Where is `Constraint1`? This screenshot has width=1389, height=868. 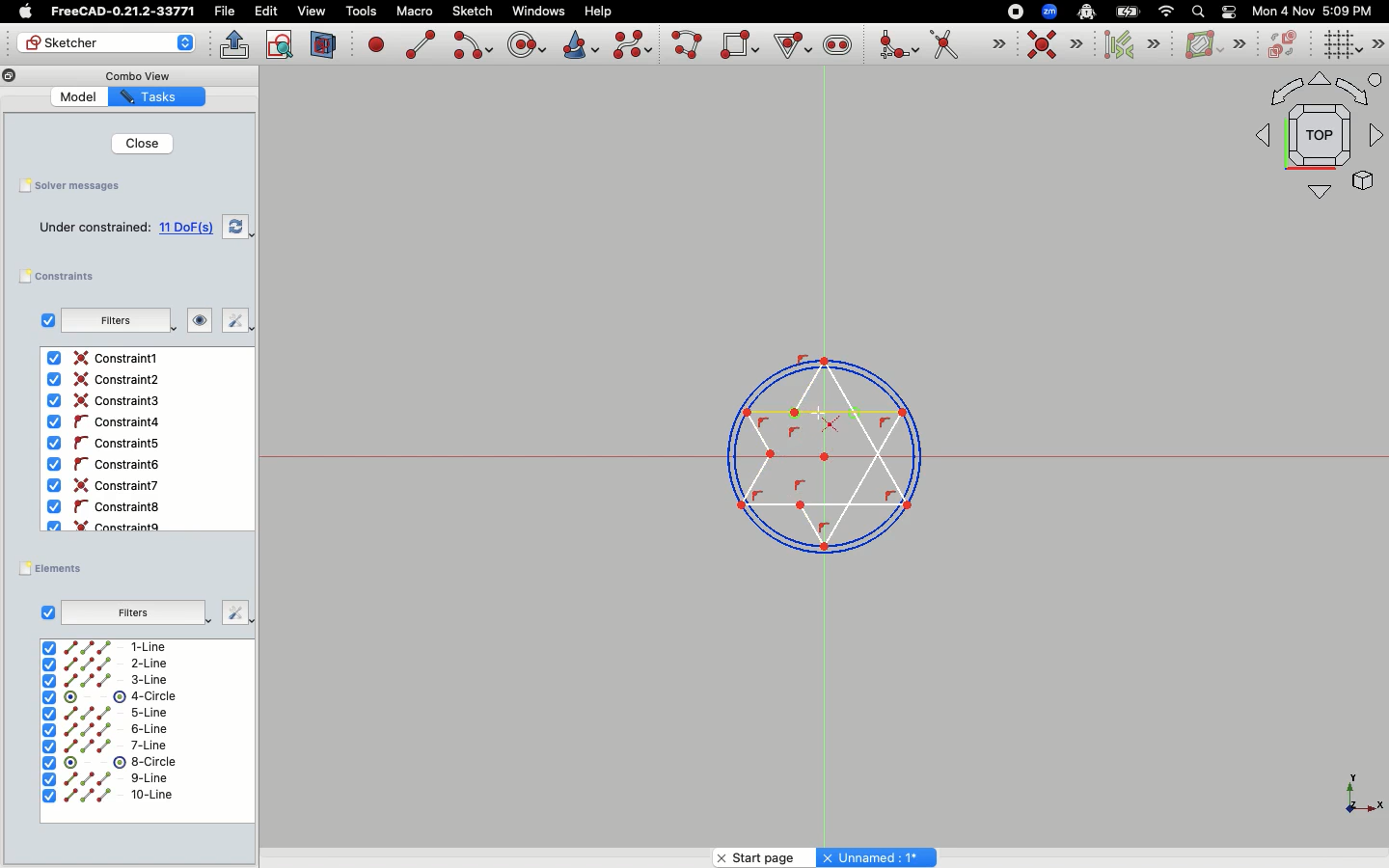 Constraint1 is located at coordinates (106, 359).